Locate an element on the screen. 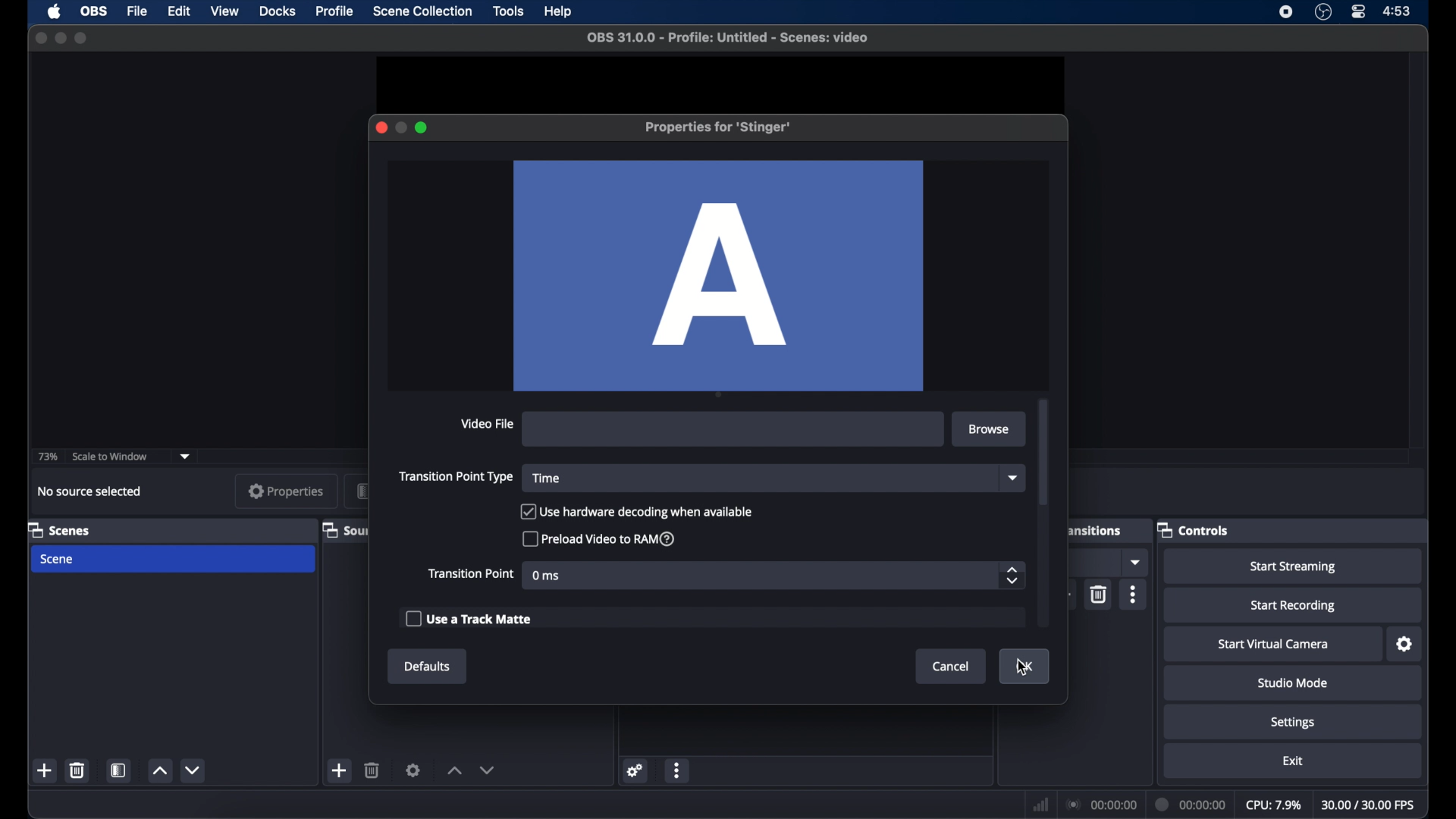 The image size is (1456, 819). increment is located at coordinates (452, 771).